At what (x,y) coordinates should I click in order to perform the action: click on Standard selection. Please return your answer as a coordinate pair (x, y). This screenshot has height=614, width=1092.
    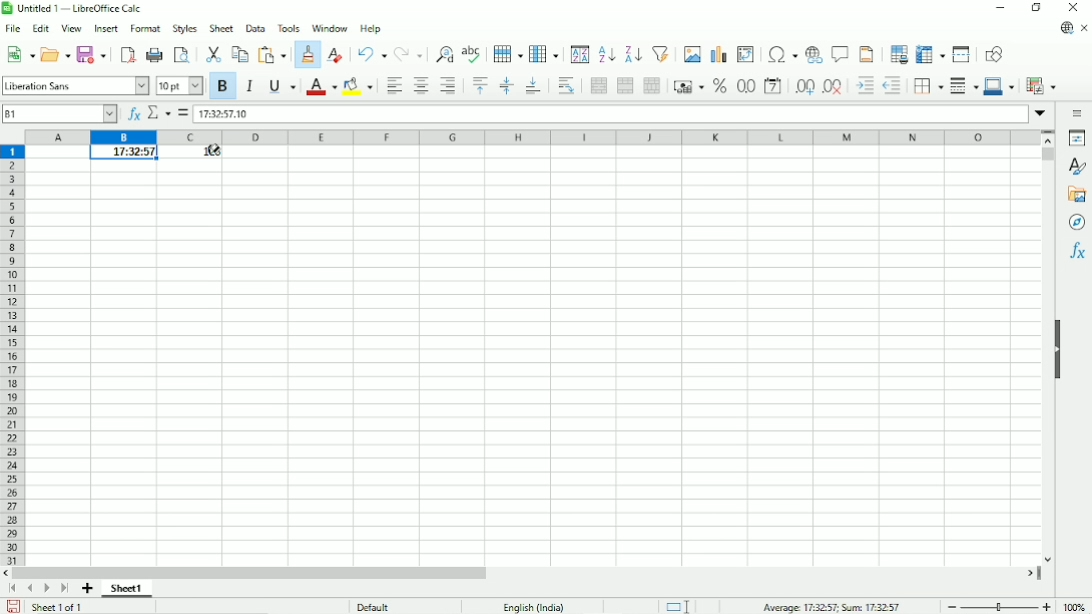
    Looking at the image, I should click on (676, 605).